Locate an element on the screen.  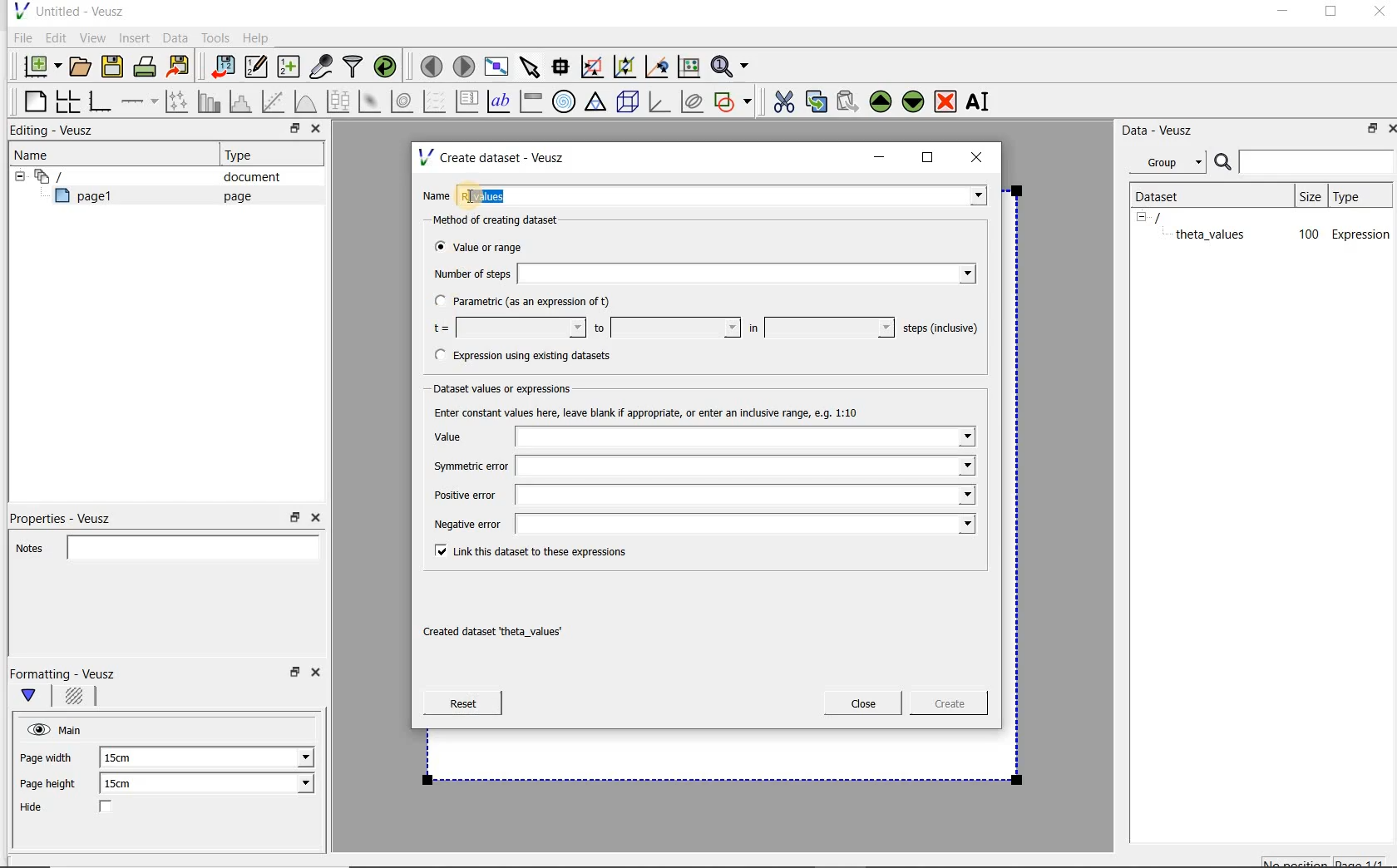
reload linked datasets is located at coordinates (388, 67).